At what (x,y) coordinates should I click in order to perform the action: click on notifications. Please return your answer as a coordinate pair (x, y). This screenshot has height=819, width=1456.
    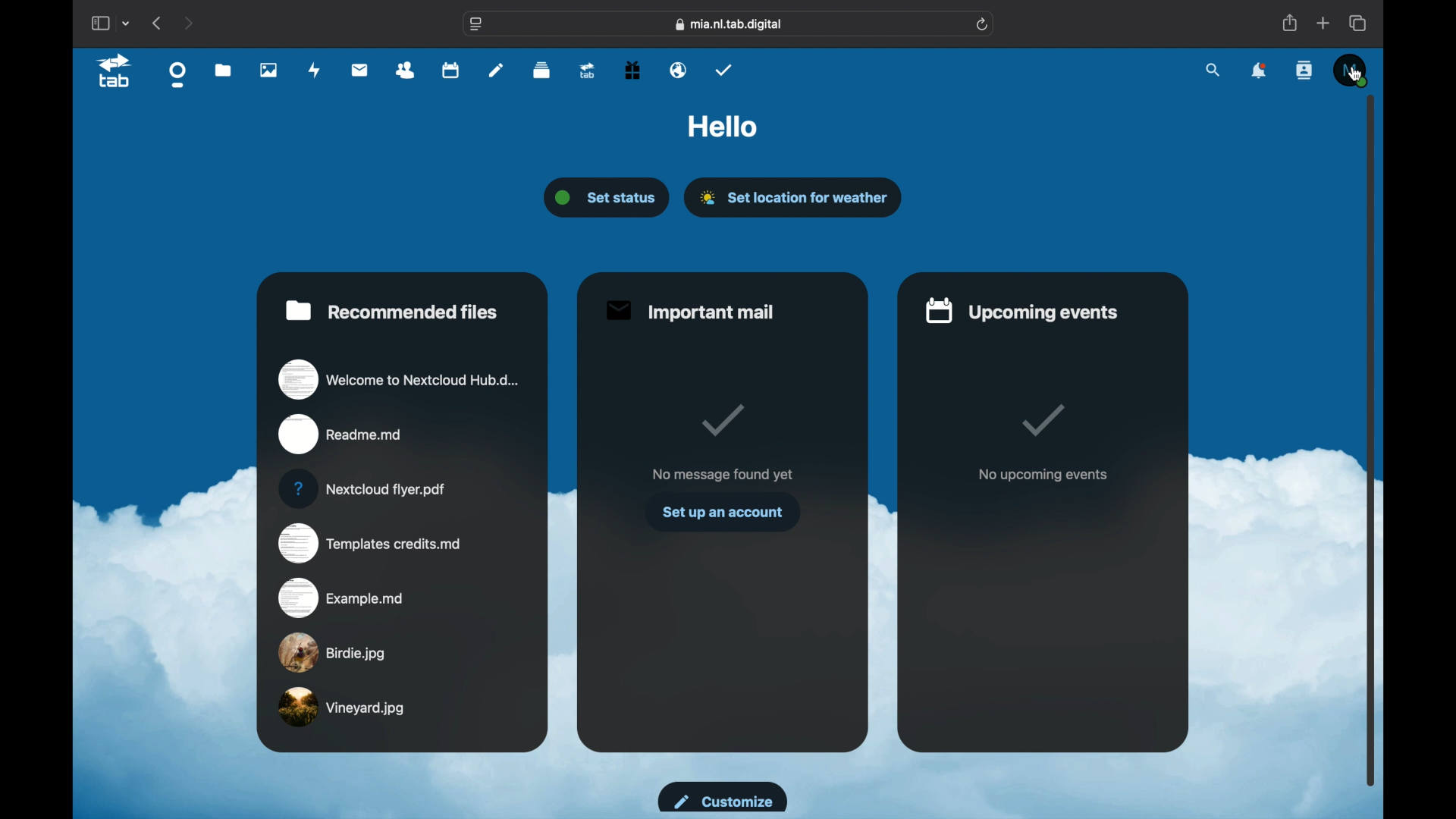
    Looking at the image, I should click on (1260, 72).